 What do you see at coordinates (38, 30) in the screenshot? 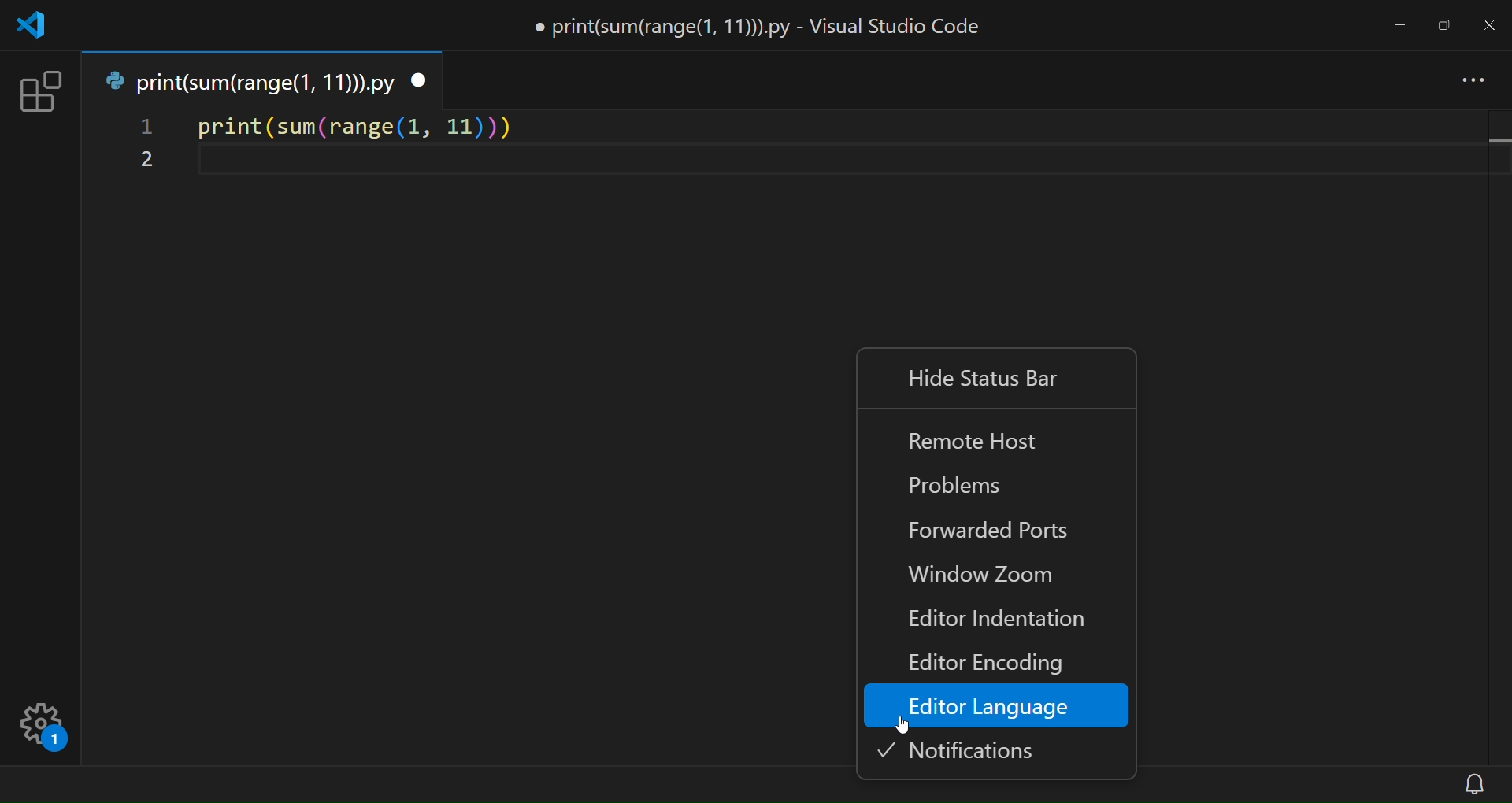
I see `VSCode logo` at bounding box center [38, 30].